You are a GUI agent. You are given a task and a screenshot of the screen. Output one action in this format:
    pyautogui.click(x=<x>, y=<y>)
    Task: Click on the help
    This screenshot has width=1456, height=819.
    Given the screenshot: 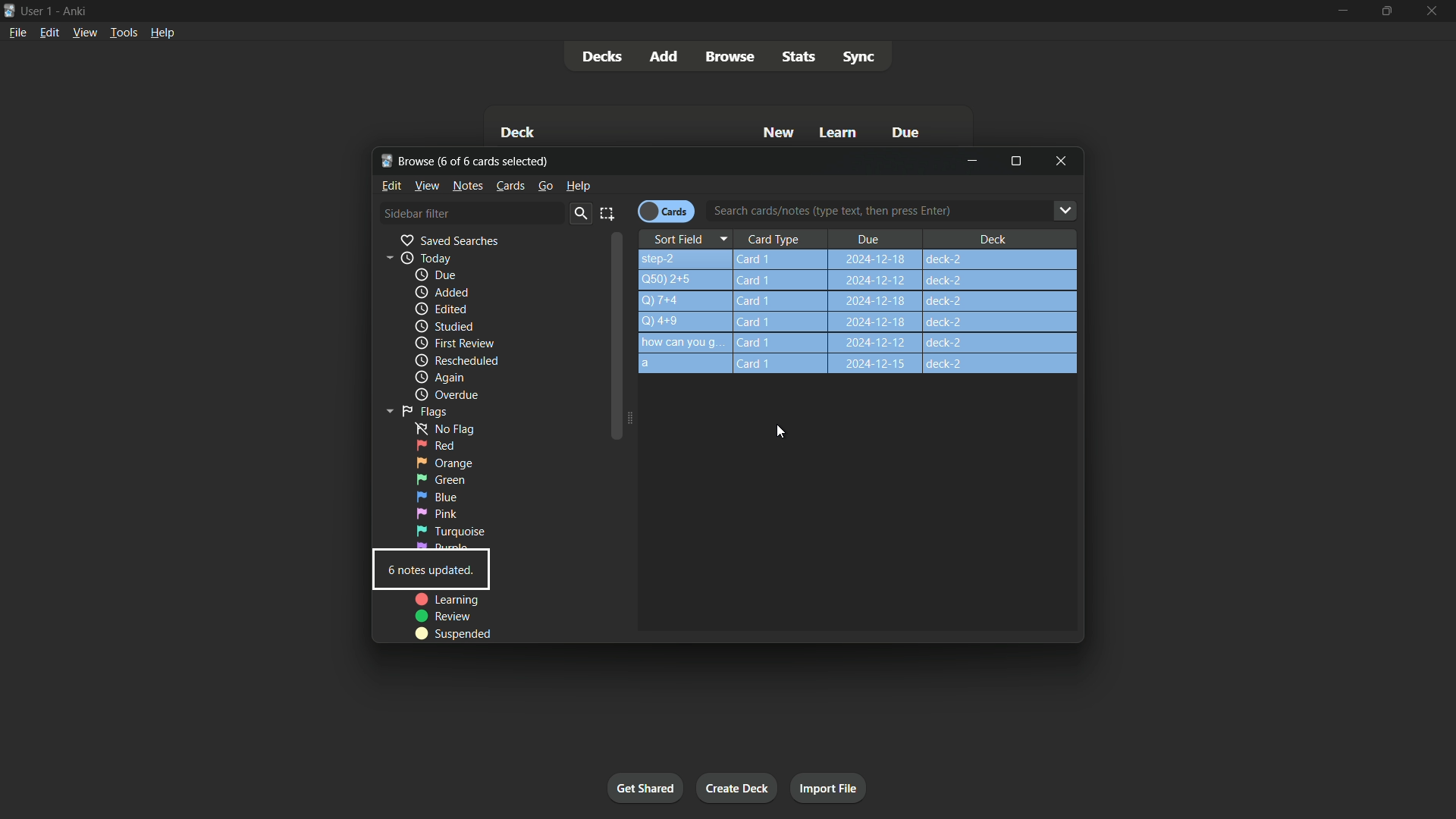 What is the action you would take?
    pyautogui.click(x=578, y=185)
    